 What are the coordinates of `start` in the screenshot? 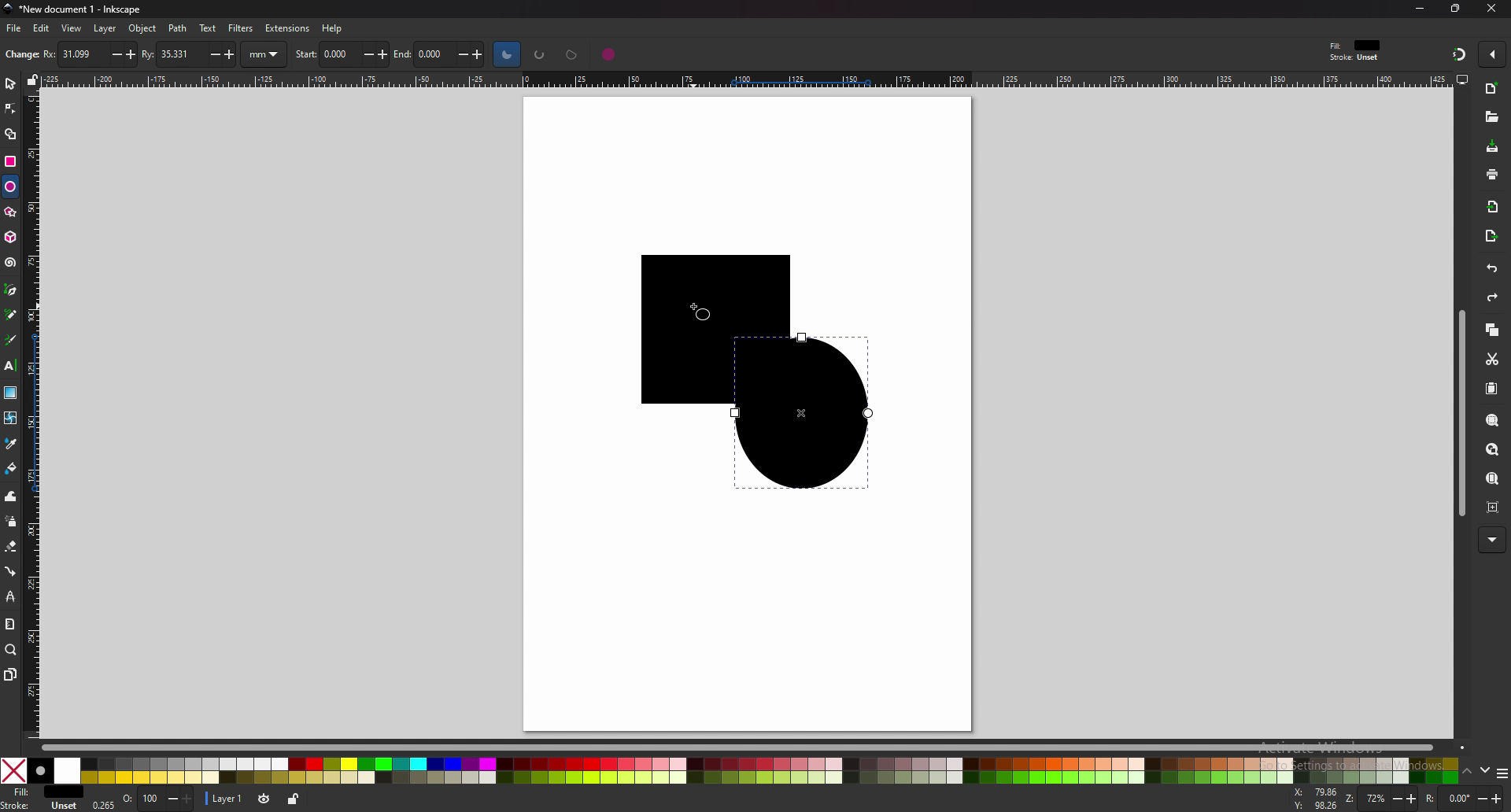 It's located at (342, 53).